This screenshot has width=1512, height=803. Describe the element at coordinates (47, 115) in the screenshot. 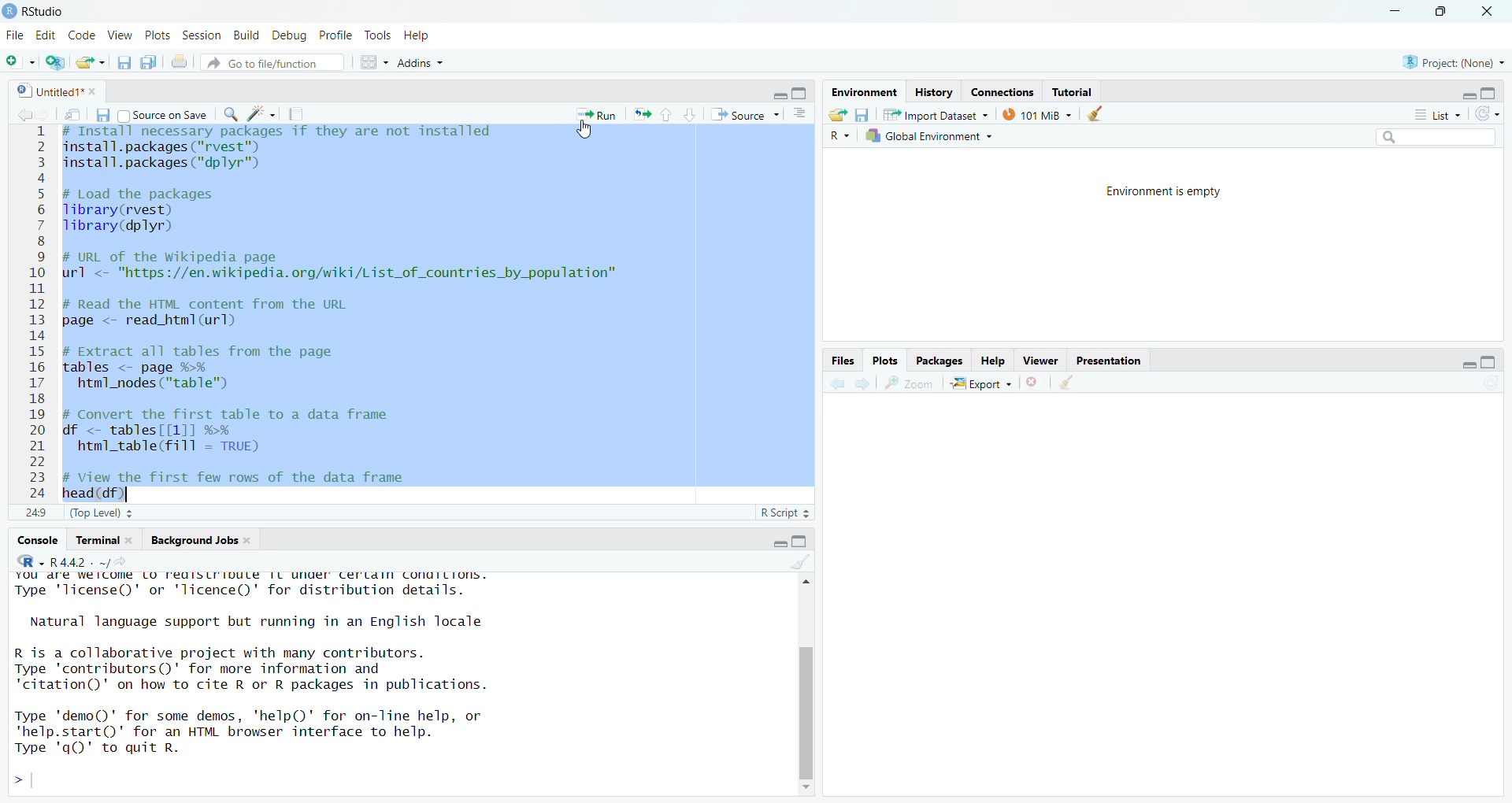

I see `forward` at that location.